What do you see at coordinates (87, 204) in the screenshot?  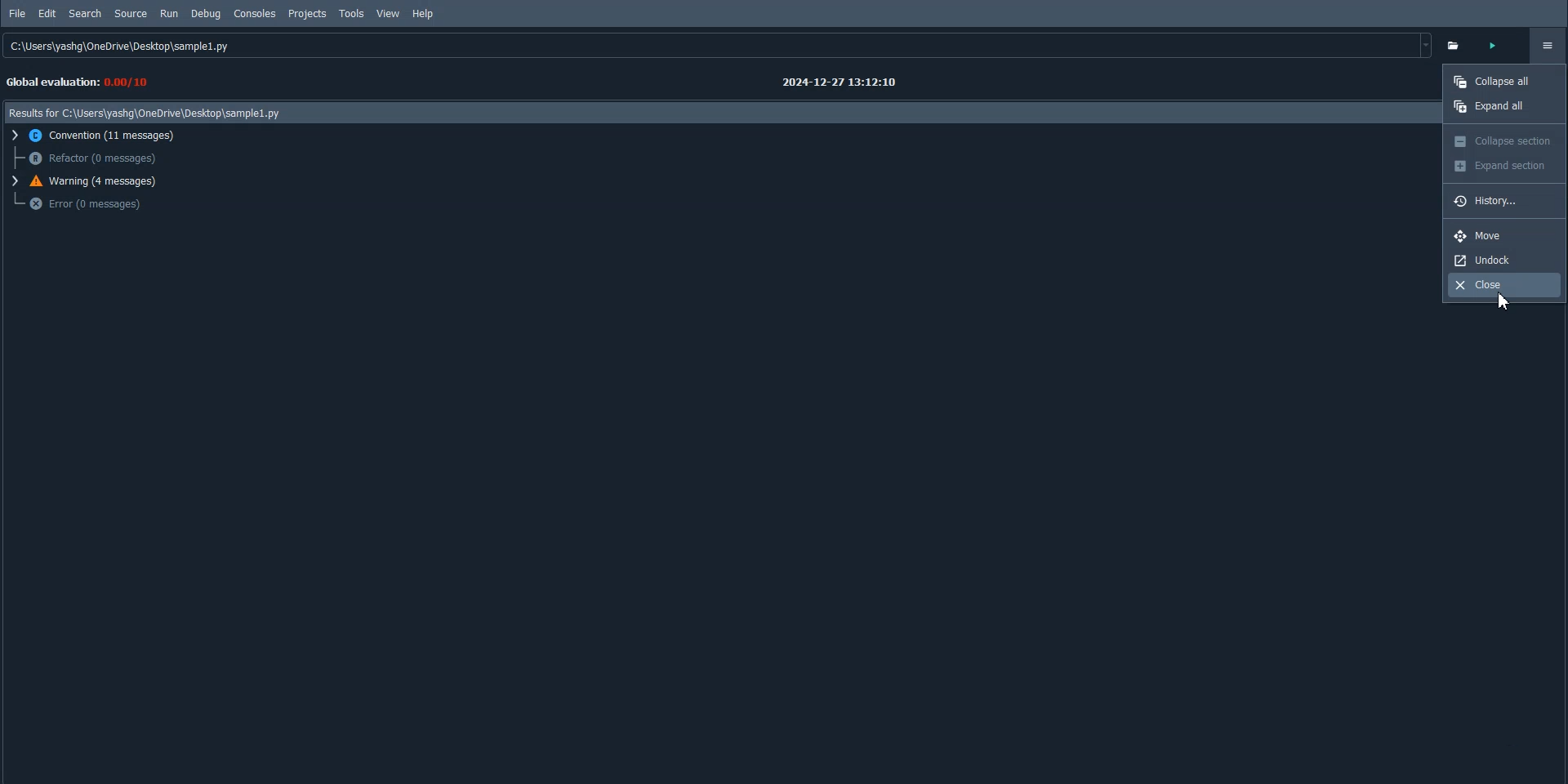 I see `Error` at bounding box center [87, 204].